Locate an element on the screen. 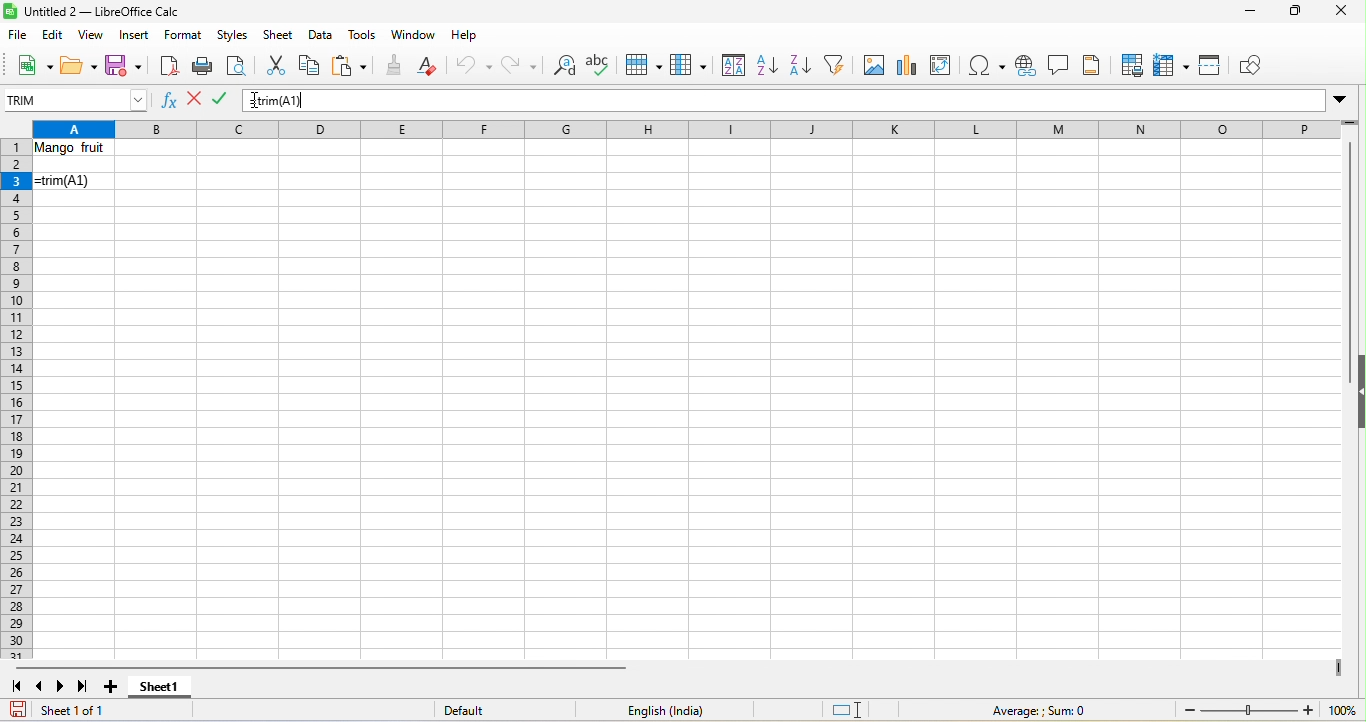 The height and width of the screenshot is (722, 1366). sort is located at coordinates (730, 66).